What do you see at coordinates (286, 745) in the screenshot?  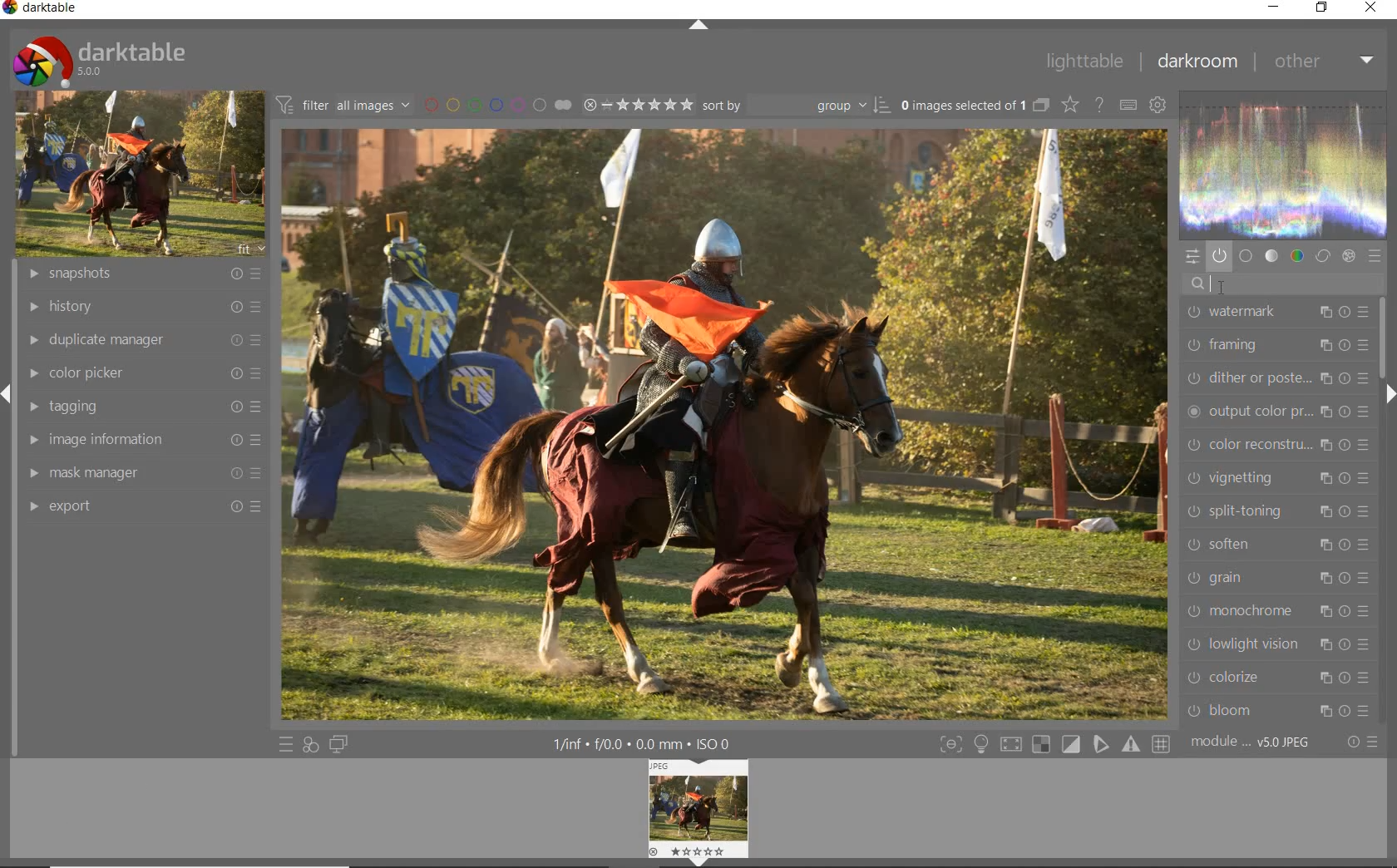 I see `quick access to presets` at bounding box center [286, 745].